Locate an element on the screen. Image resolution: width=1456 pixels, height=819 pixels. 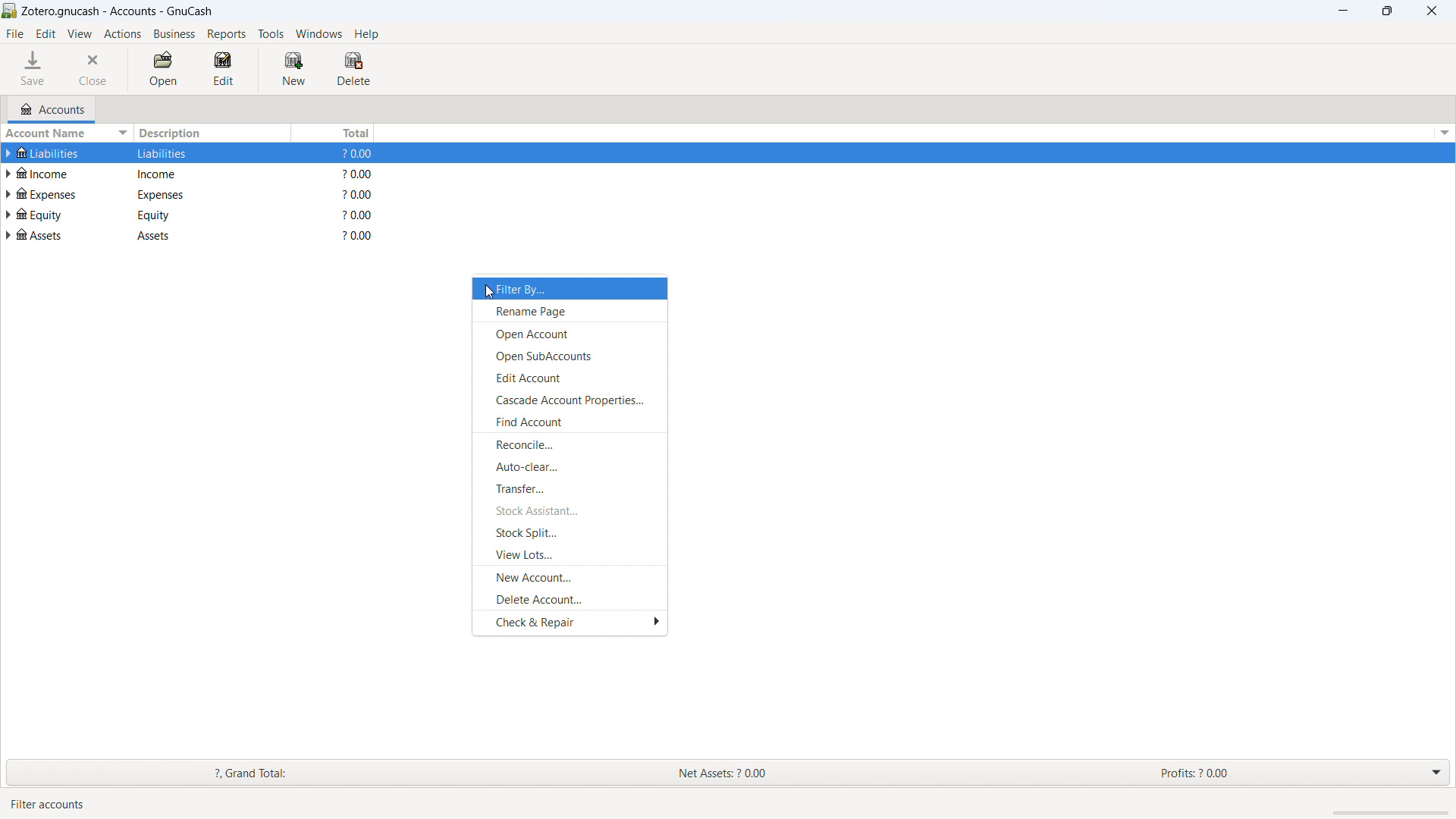
expenses is located at coordinates (54, 192).